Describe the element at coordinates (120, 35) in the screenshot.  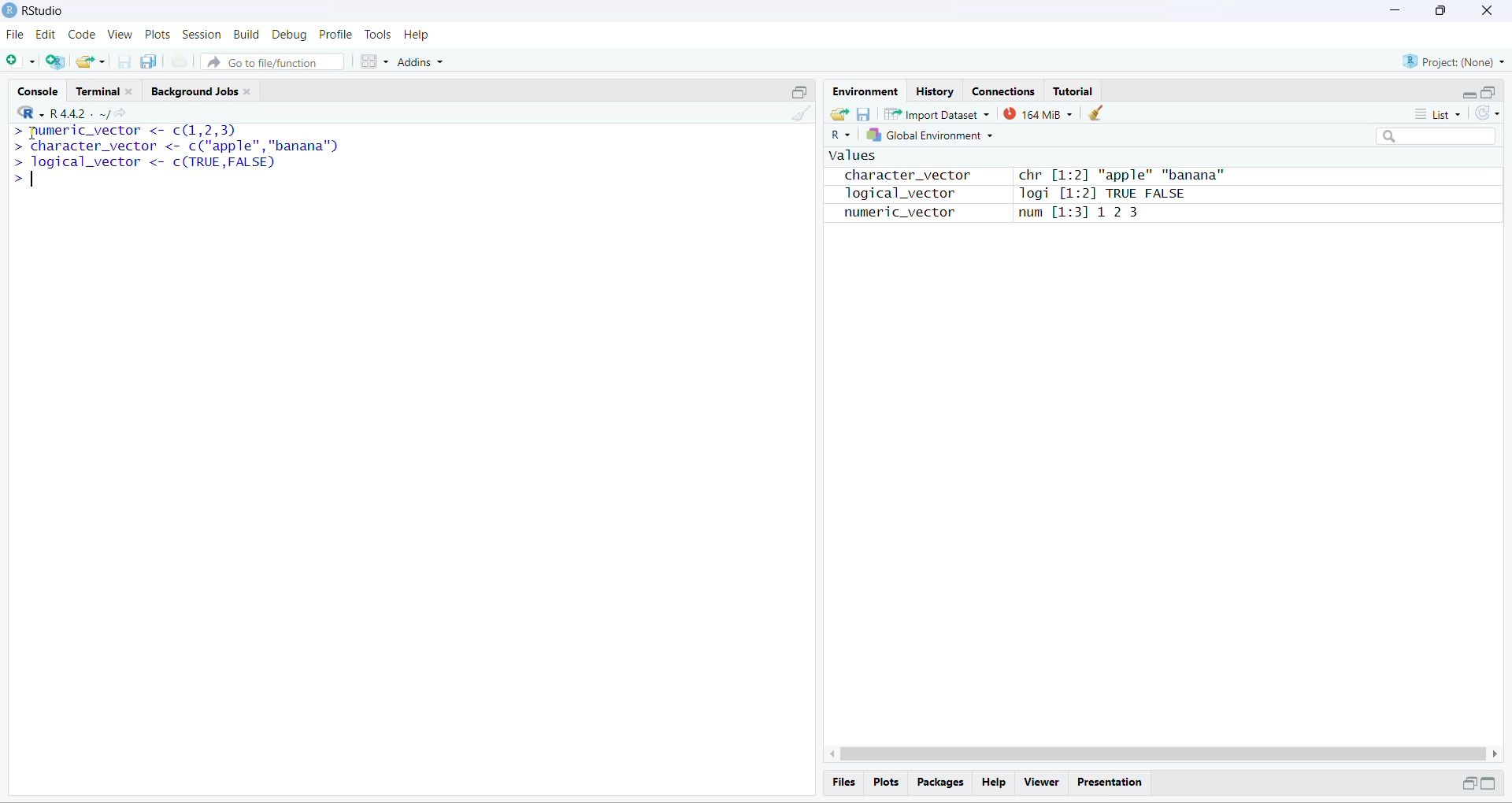
I see `View` at that location.